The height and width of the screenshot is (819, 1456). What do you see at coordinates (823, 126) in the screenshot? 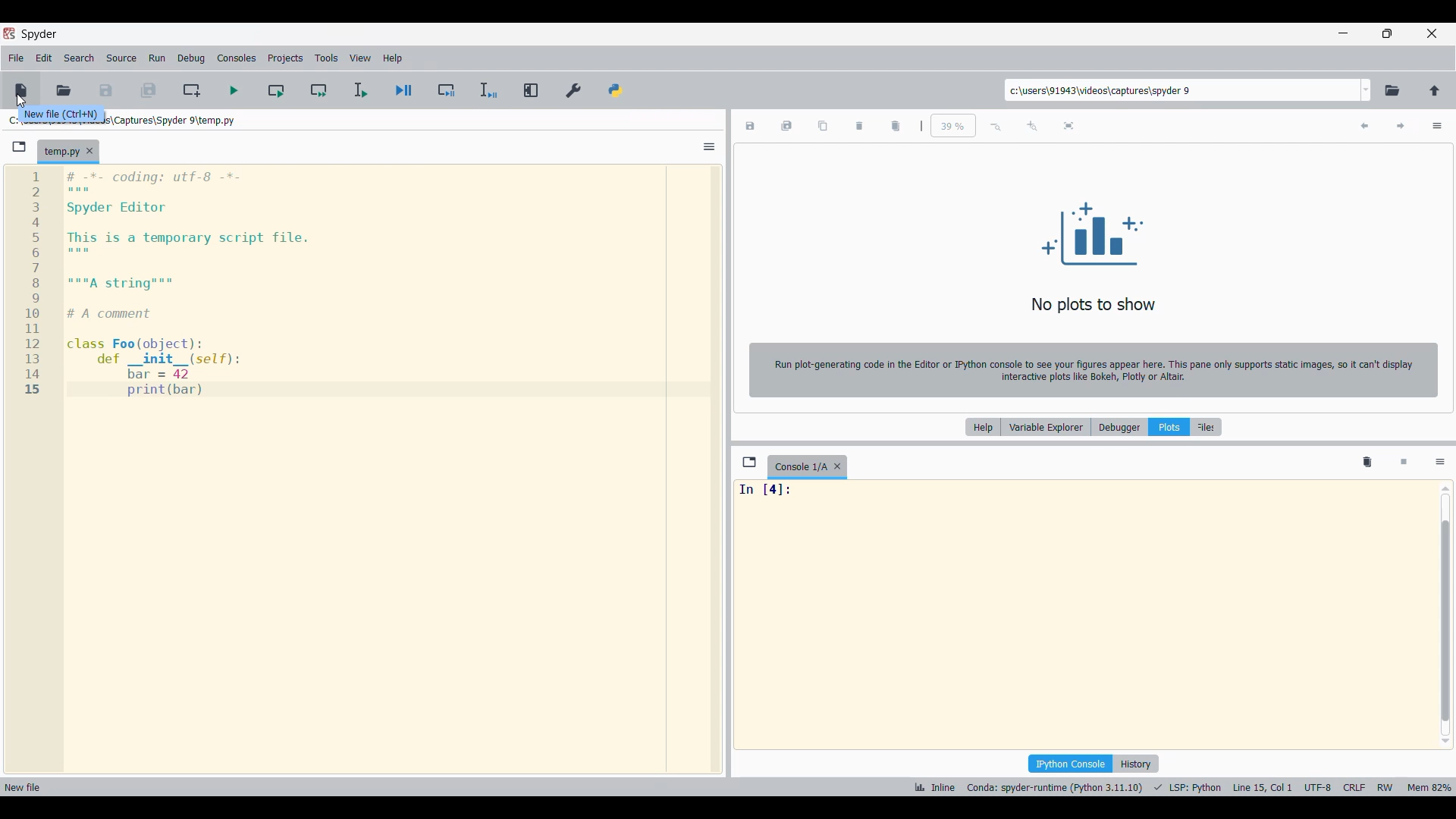
I see `Copy plot to clipboard as image` at bounding box center [823, 126].